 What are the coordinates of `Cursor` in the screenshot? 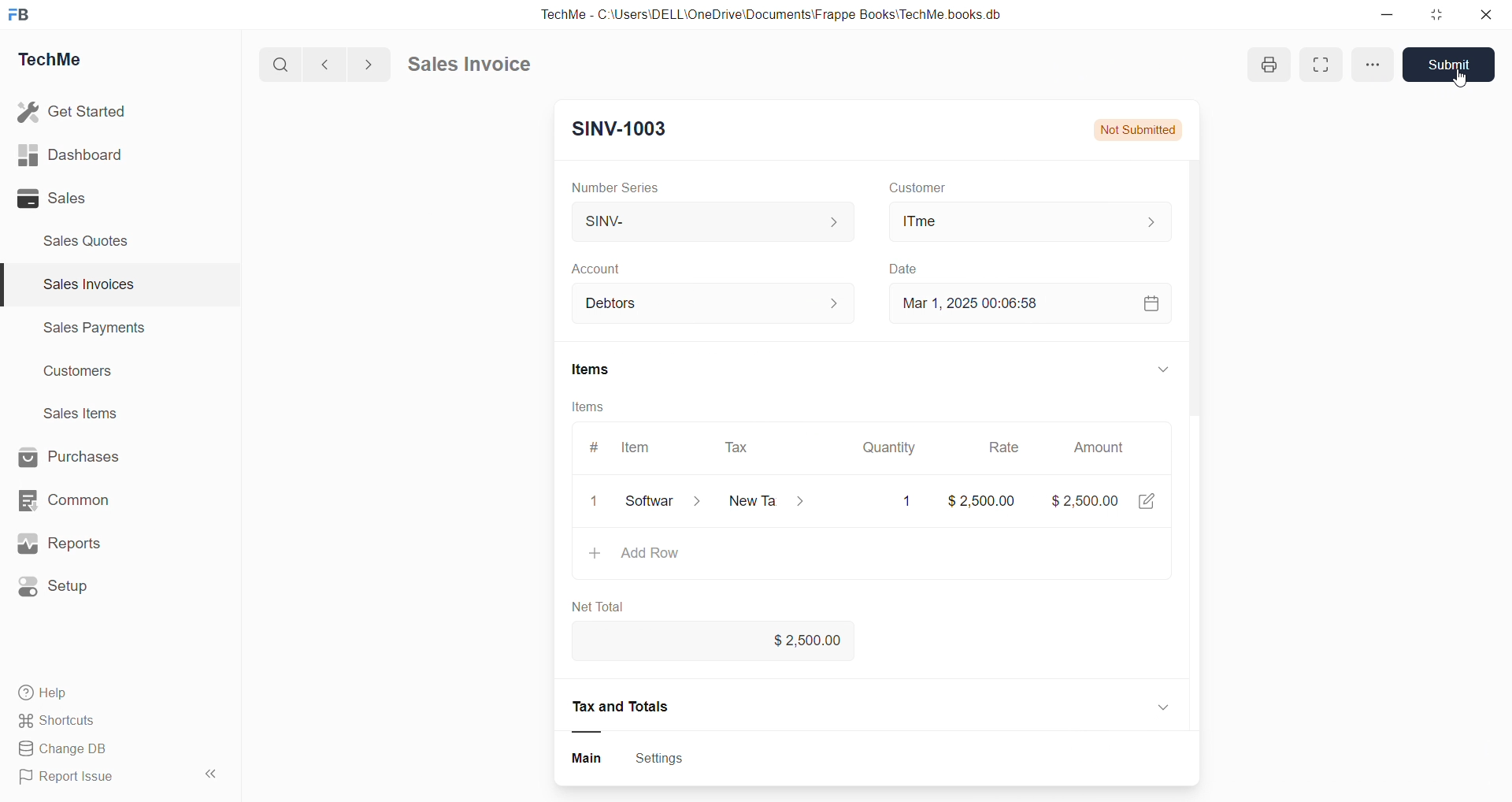 It's located at (1473, 76).